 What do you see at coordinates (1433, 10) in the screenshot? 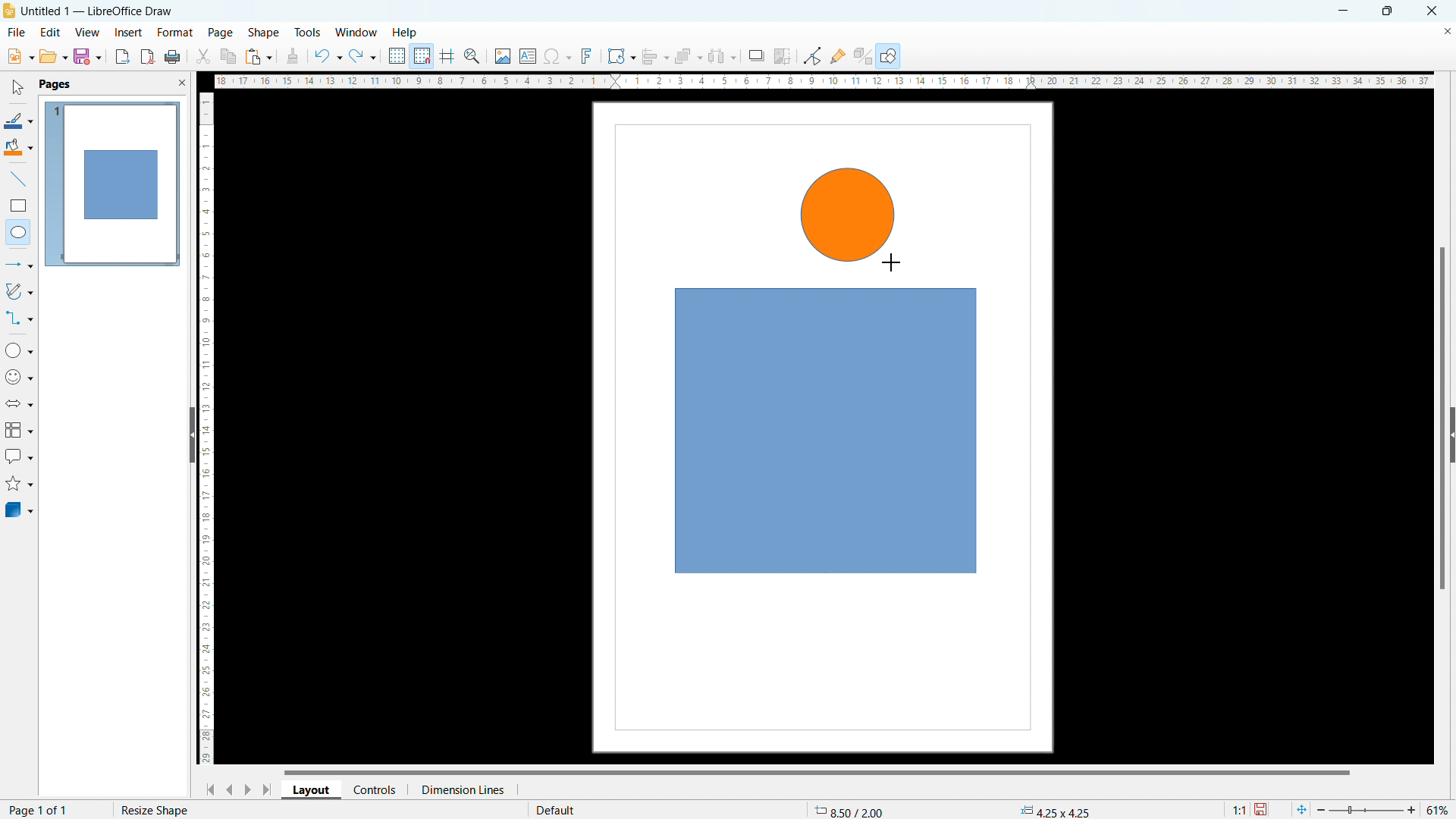
I see `close` at bounding box center [1433, 10].